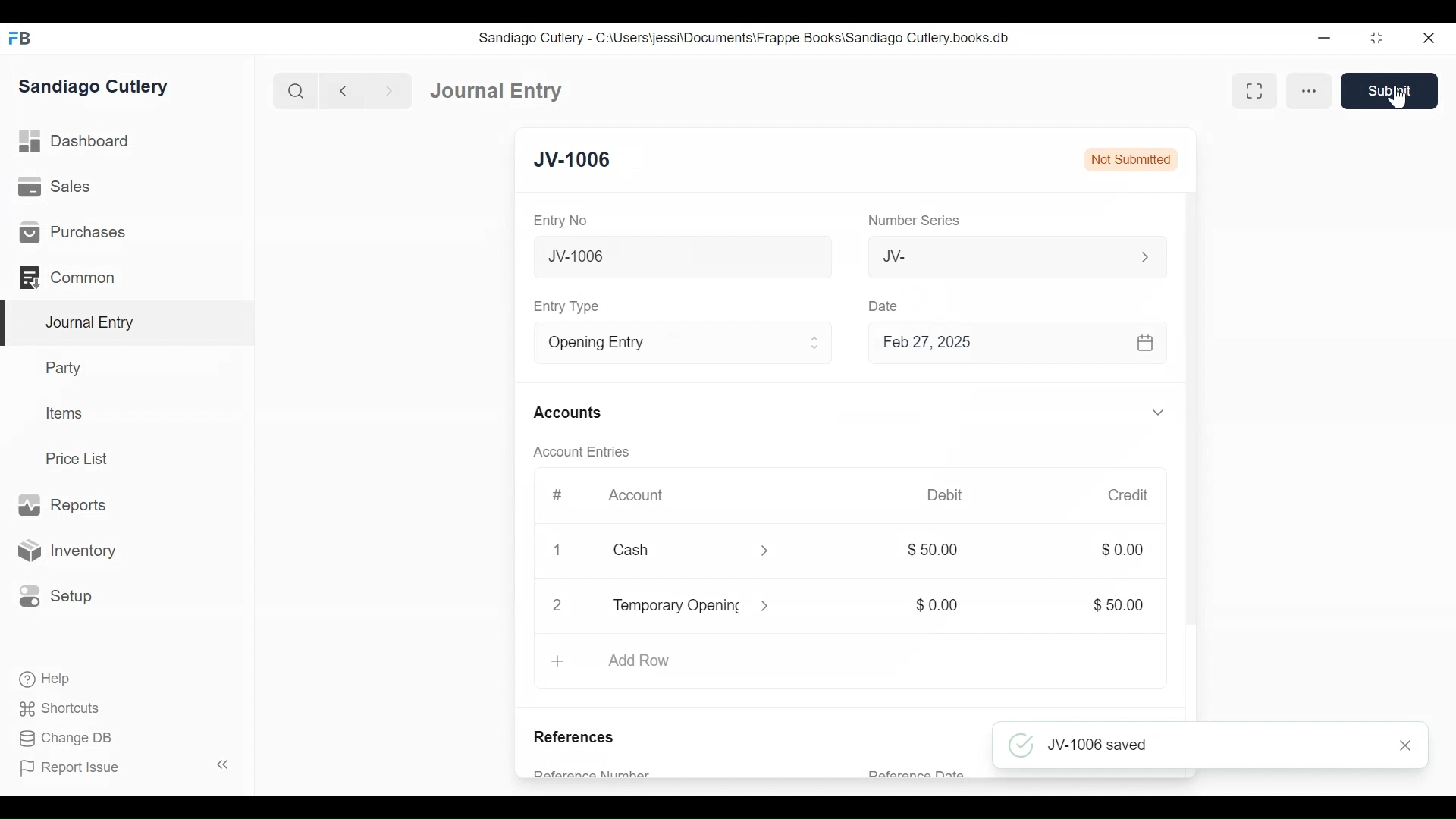 The image size is (1456, 819). Describe the element at coordinates (766, 551) in the screenshot. I see `Expand` at that location.